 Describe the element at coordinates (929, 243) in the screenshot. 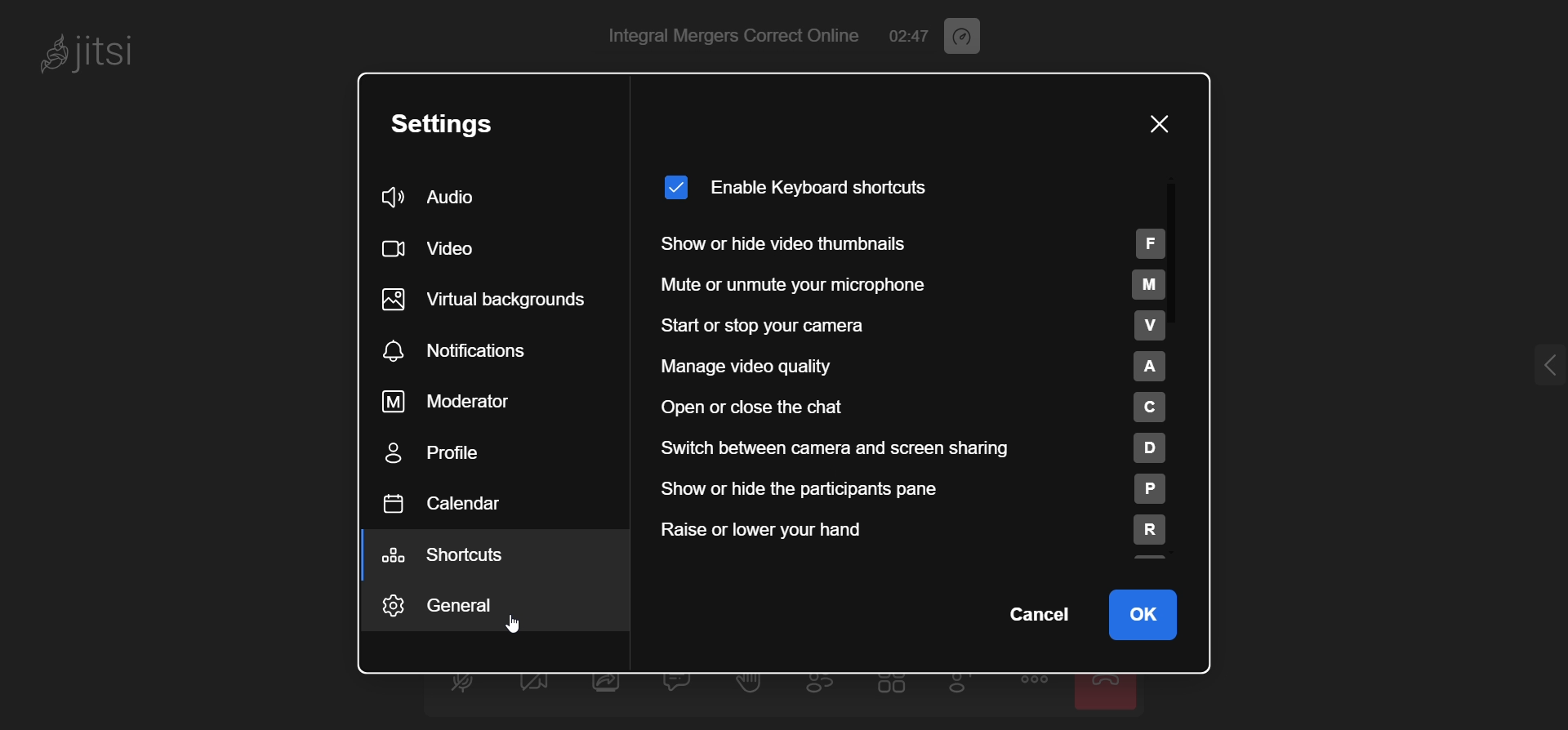

I see `Show or hide video thumbnails` at that location.